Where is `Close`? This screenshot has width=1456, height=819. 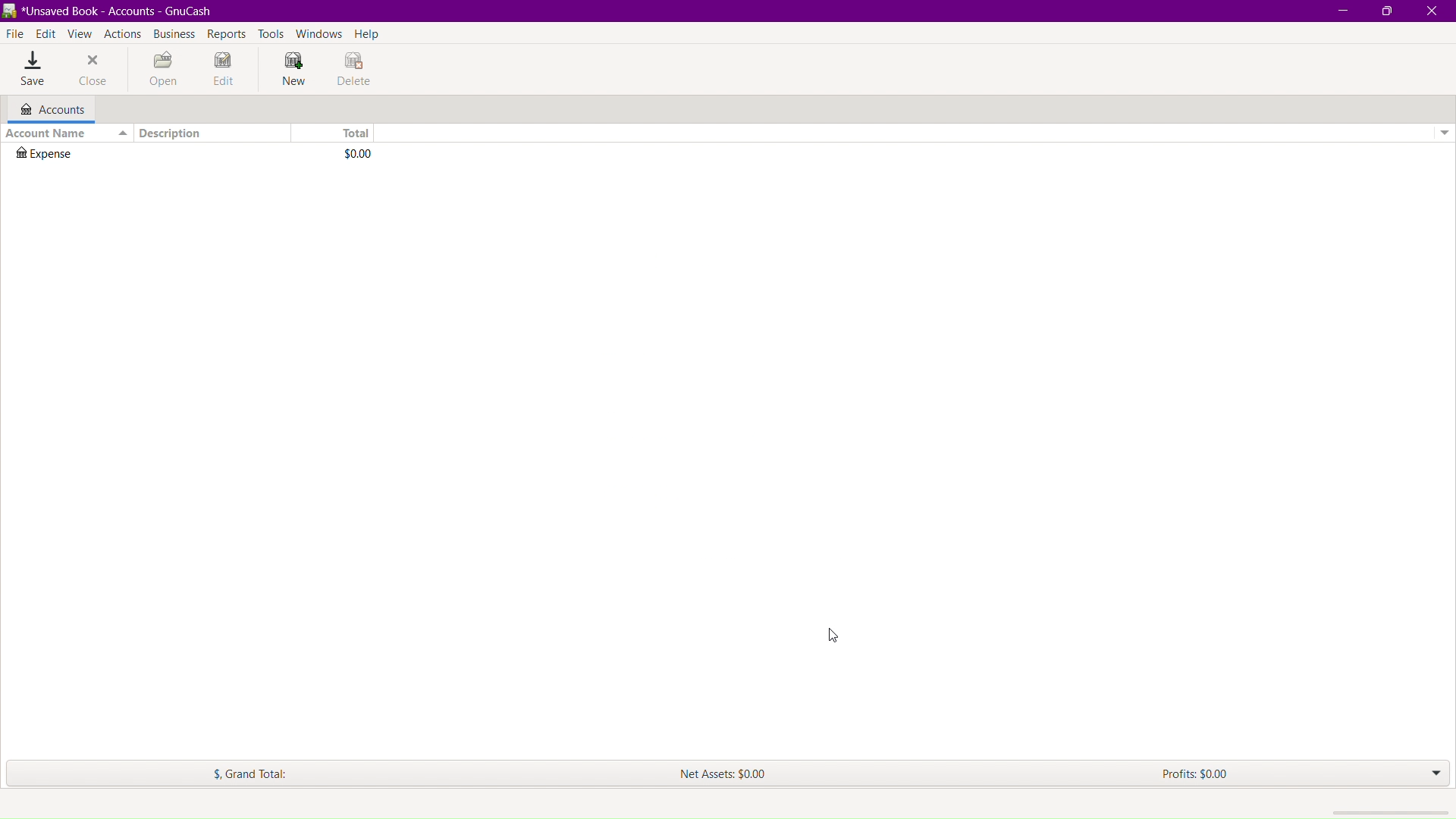
Close is located at coordinates (99, 71).